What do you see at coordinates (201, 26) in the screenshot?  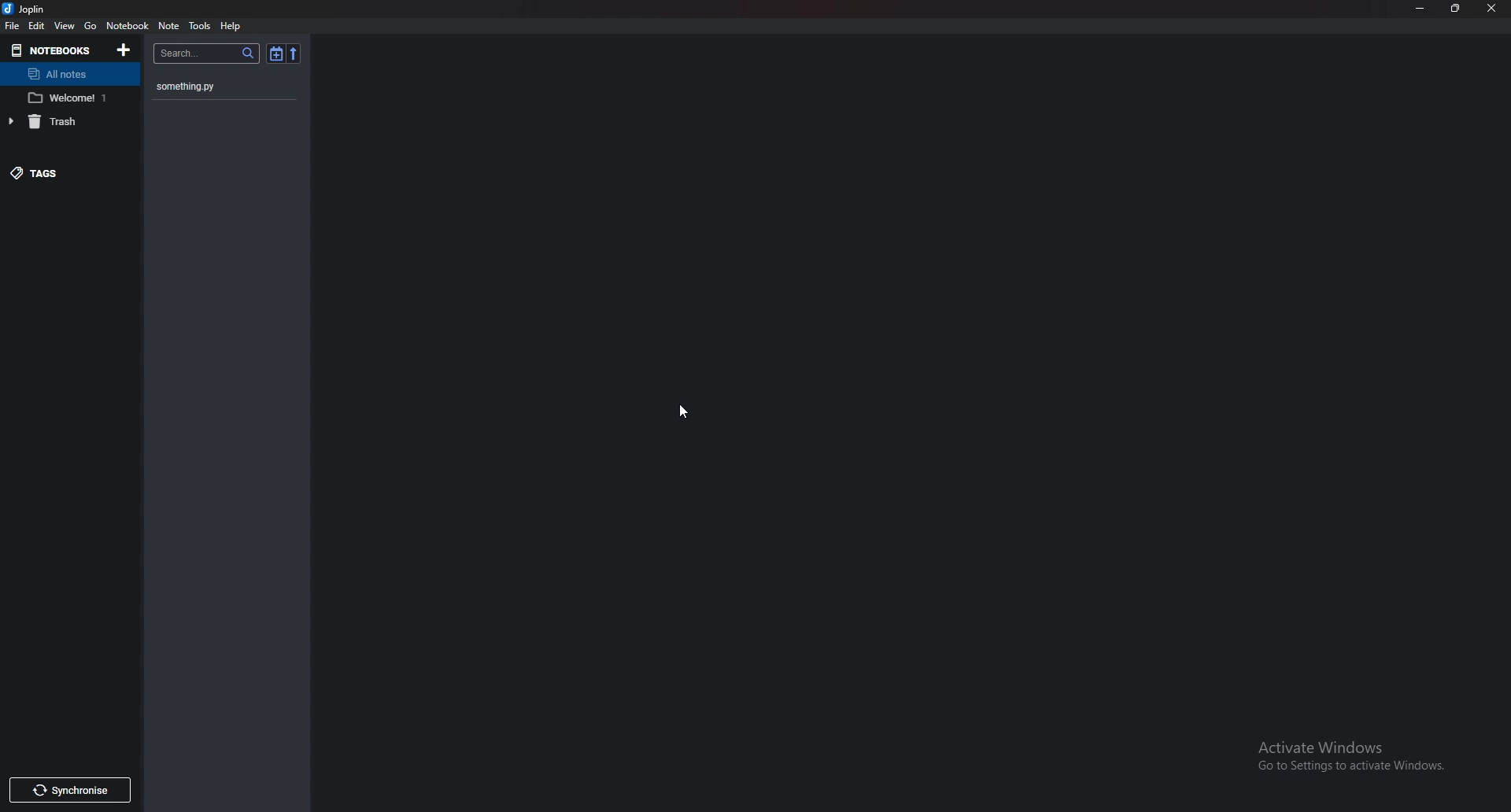 I see `Tools` at bounding box center [201, 26].